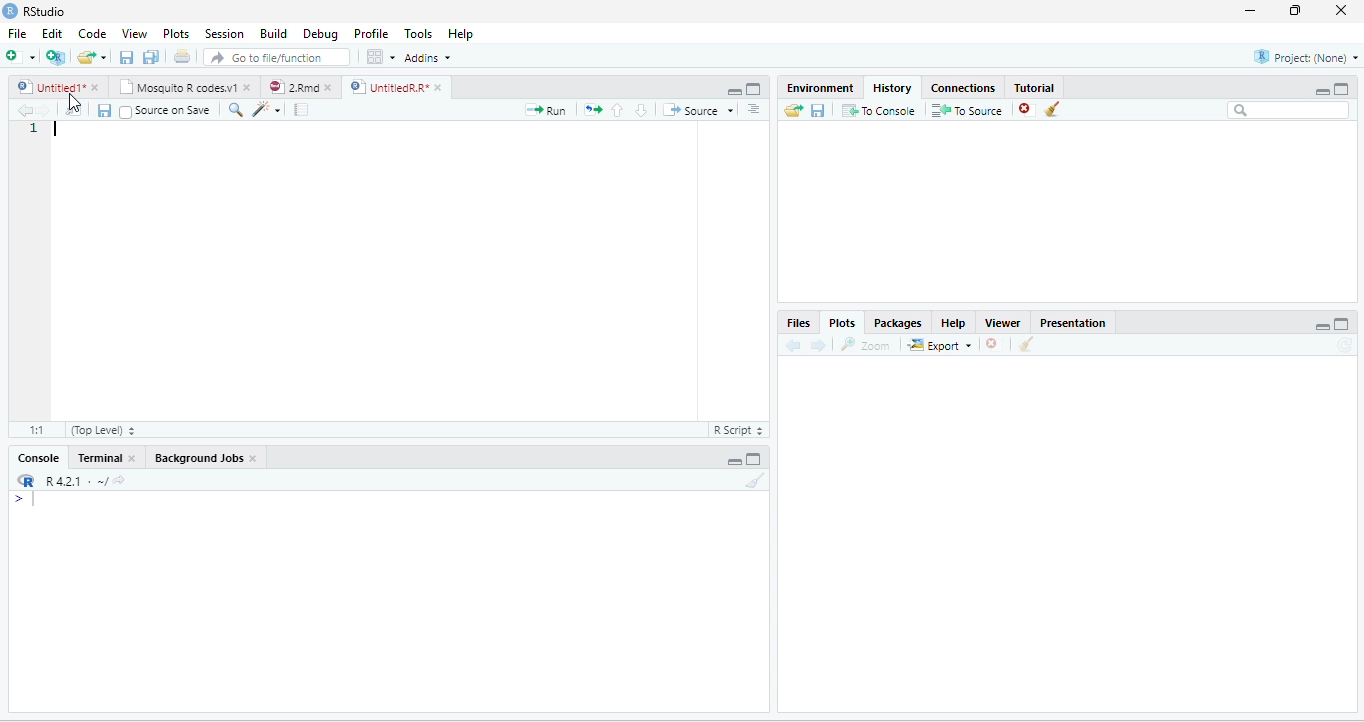 This screenshot has height=722, width=1364. Describe the element at coordinates (127, 56) in the screenshot. I see `Save current document` at that location.